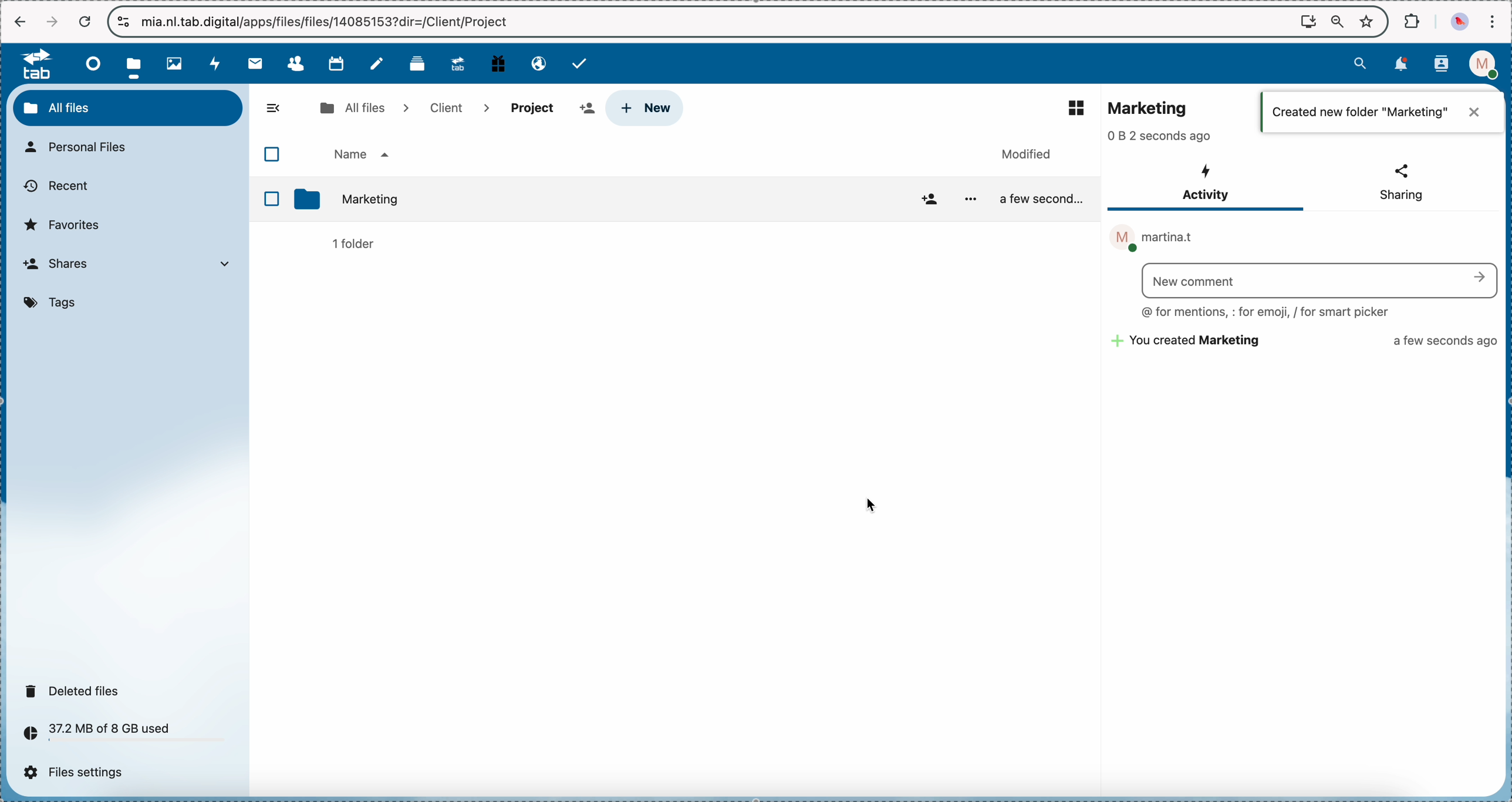  I want to click on cursor, so click(872, 508).